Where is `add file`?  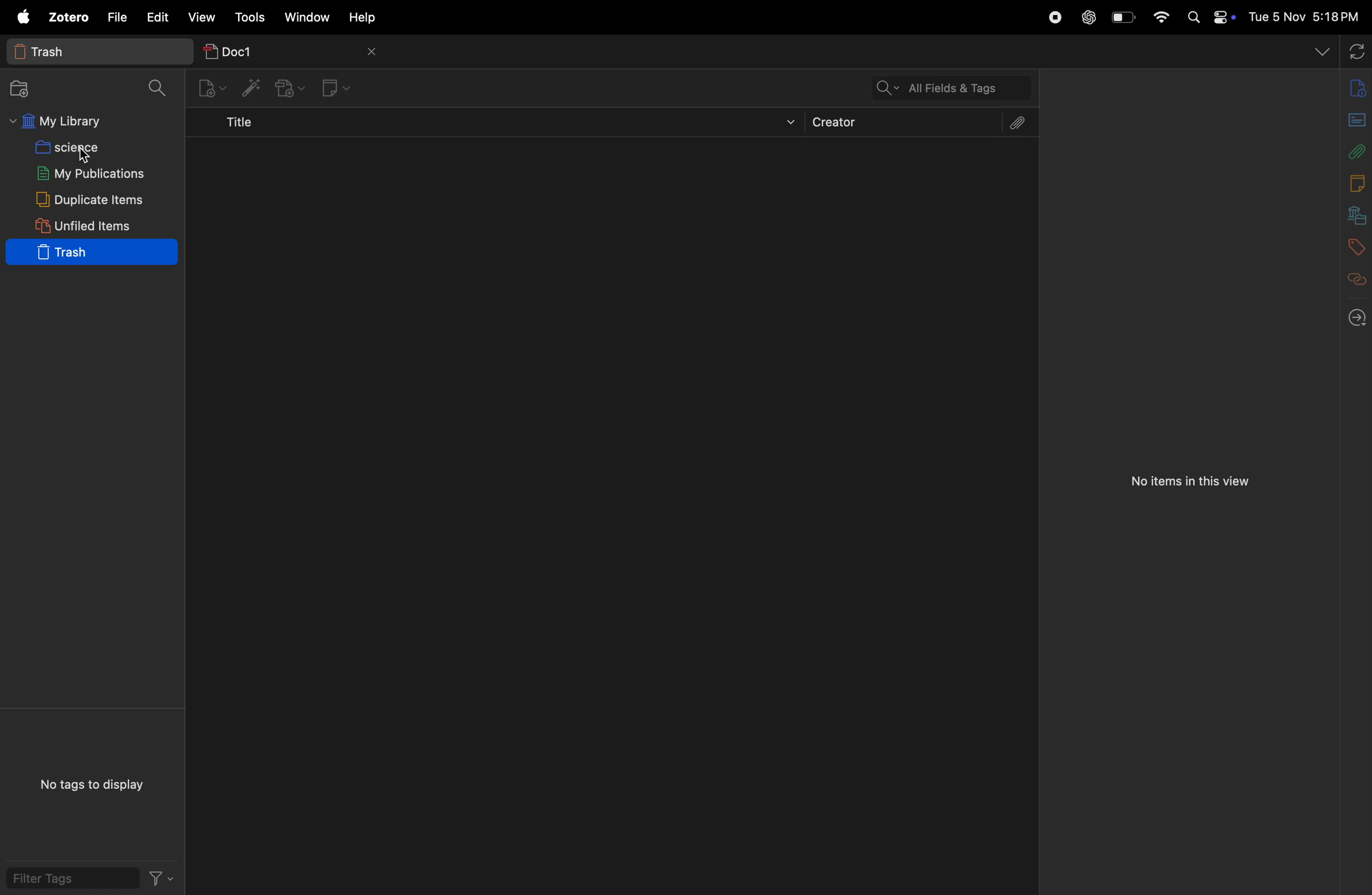 add file is located at coordinates (1354, 88).